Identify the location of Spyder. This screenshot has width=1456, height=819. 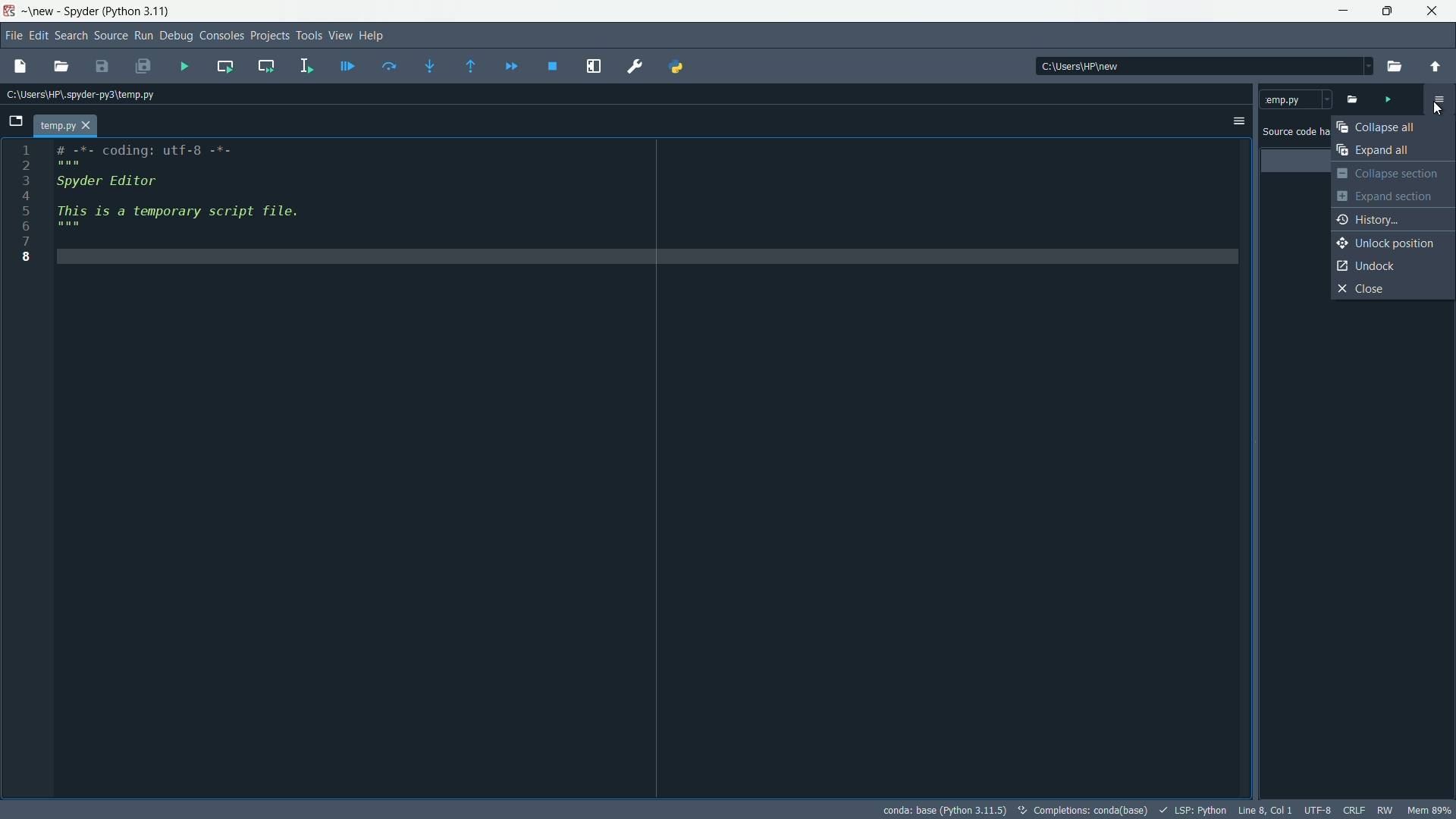
(80, 12).